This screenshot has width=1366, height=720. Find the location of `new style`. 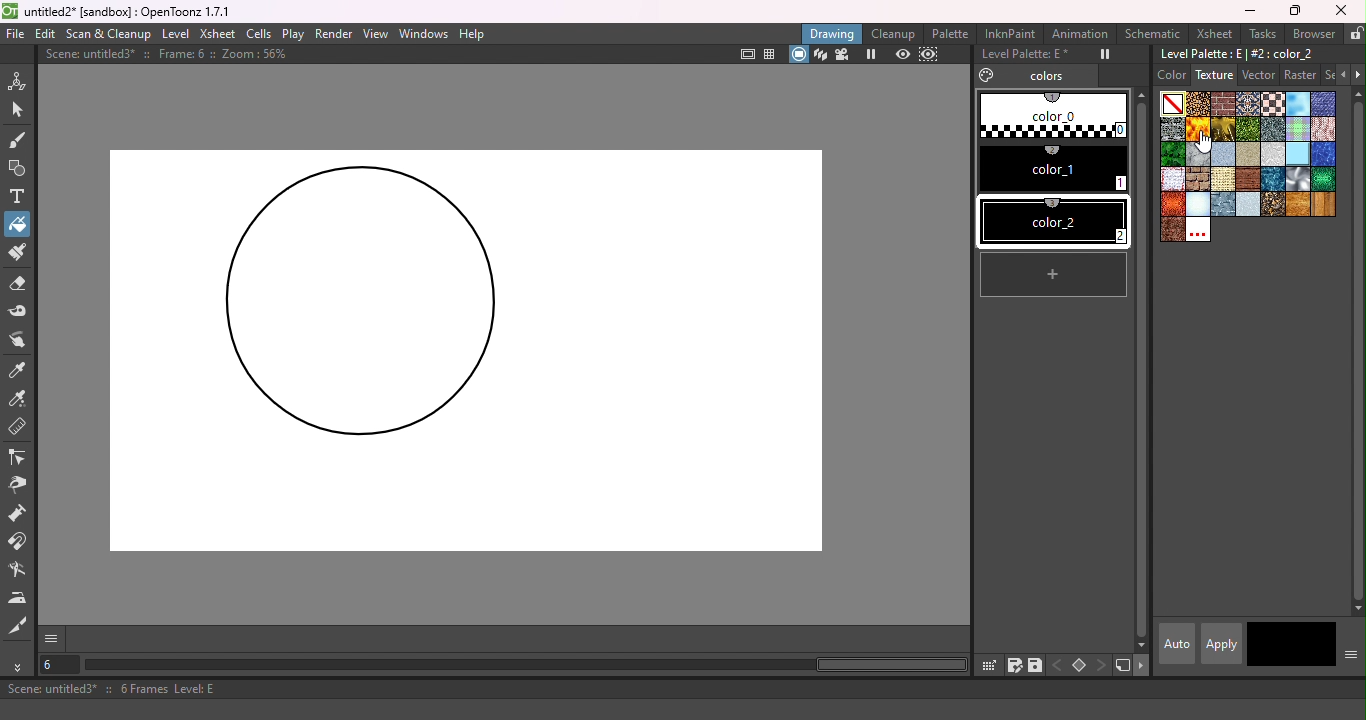

new style is located at coordinates (1122, 666).